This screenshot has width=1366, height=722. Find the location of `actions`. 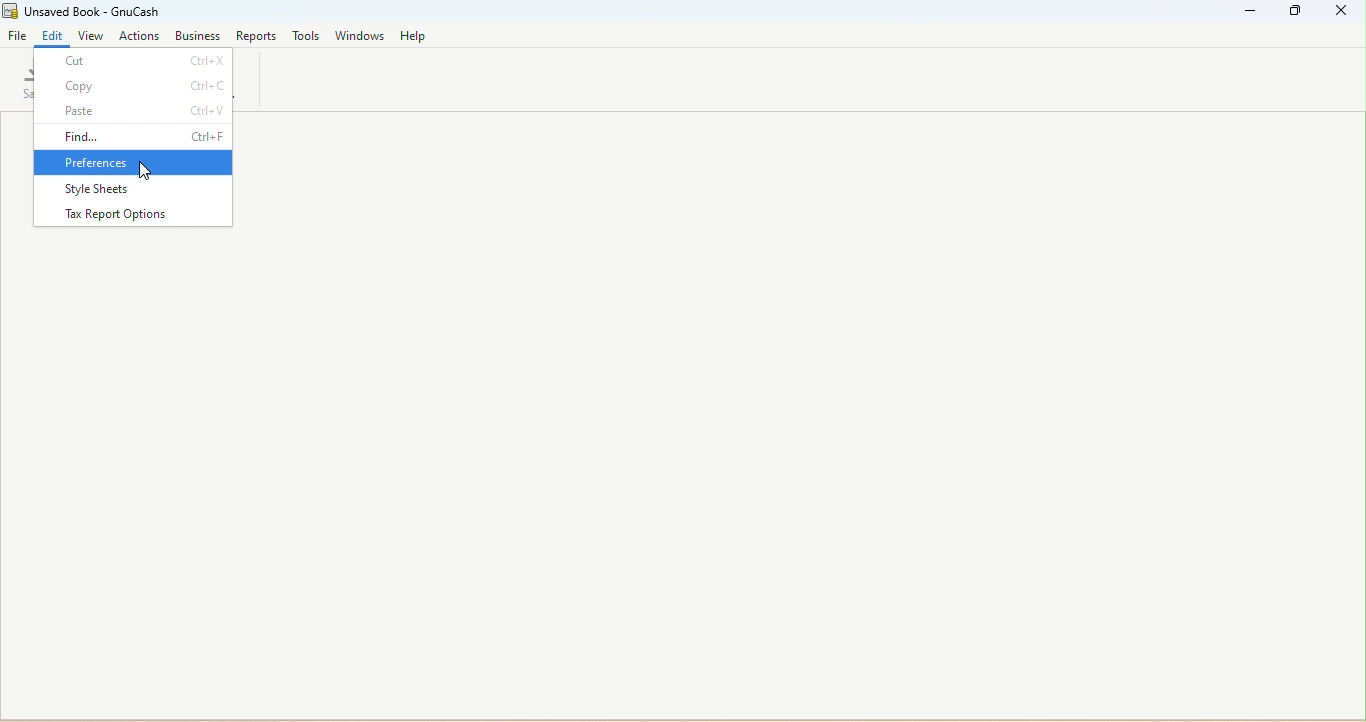

actions is located at coordinates (139, 35).